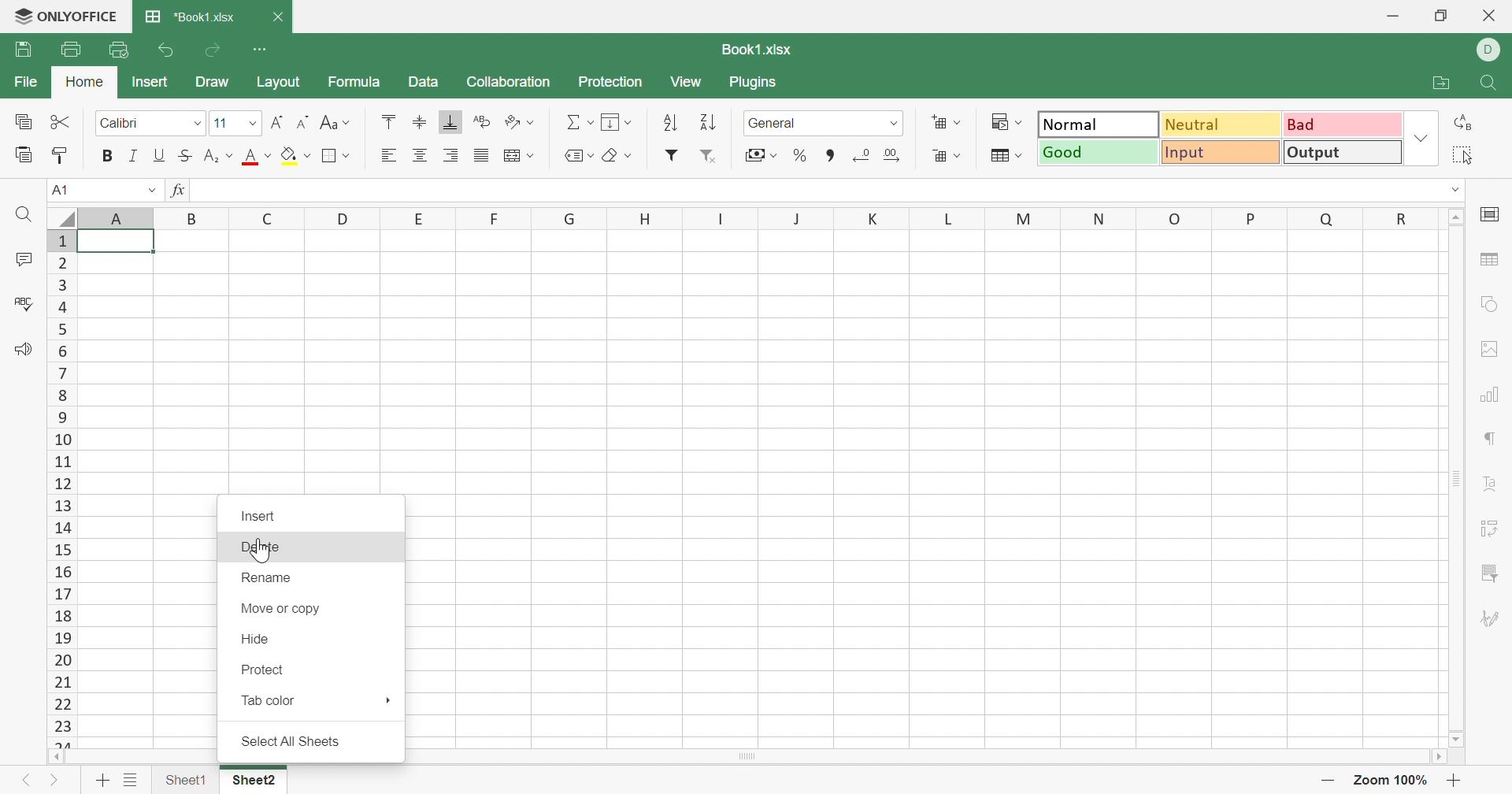  I want to click on Drop Down, so click(1024, 121).